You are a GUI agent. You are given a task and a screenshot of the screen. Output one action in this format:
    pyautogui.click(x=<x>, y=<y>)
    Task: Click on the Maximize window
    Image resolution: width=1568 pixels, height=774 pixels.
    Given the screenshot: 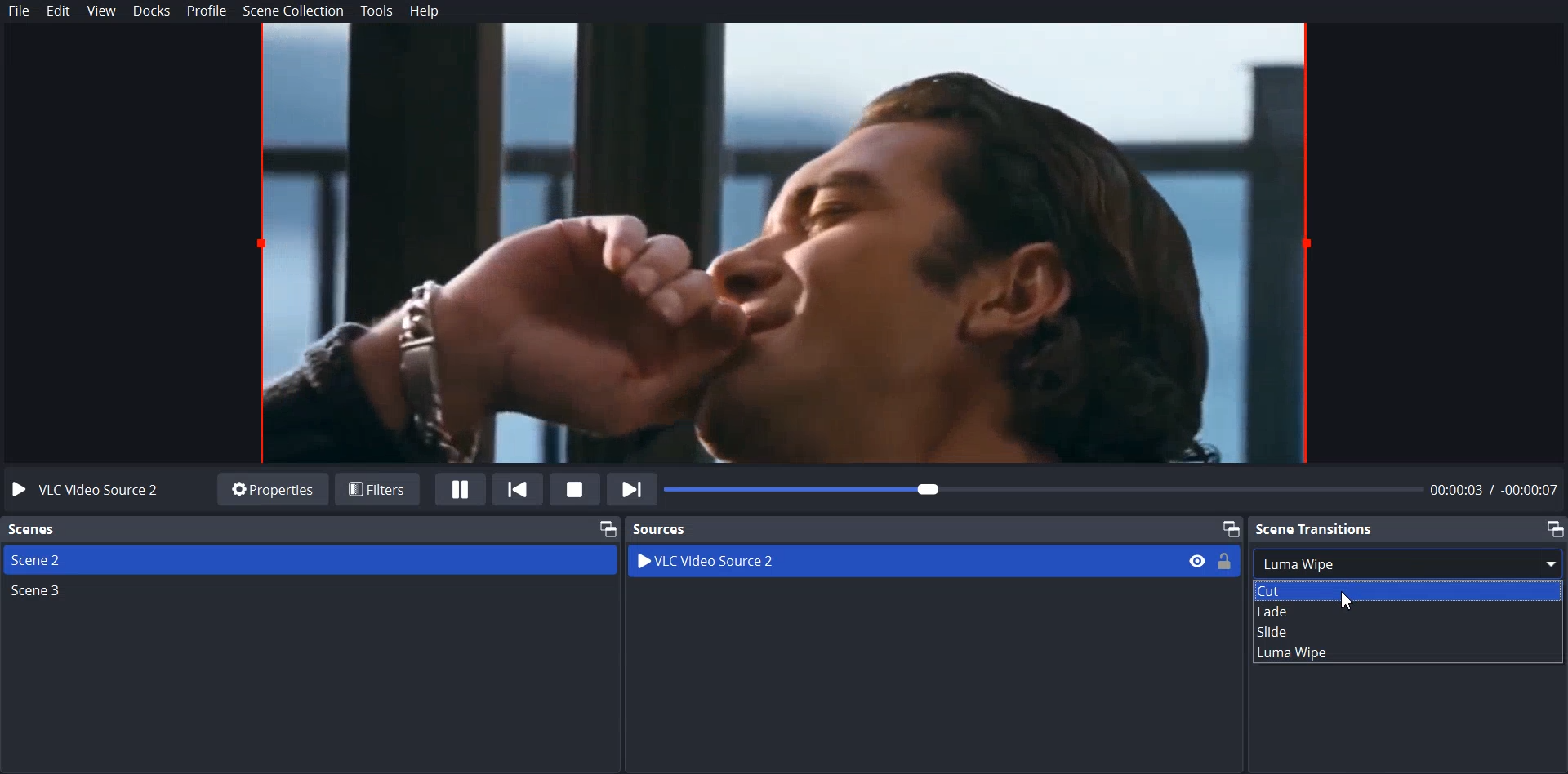 What is the action you would take?
    pyautogui.click(x=606, y=527)
    